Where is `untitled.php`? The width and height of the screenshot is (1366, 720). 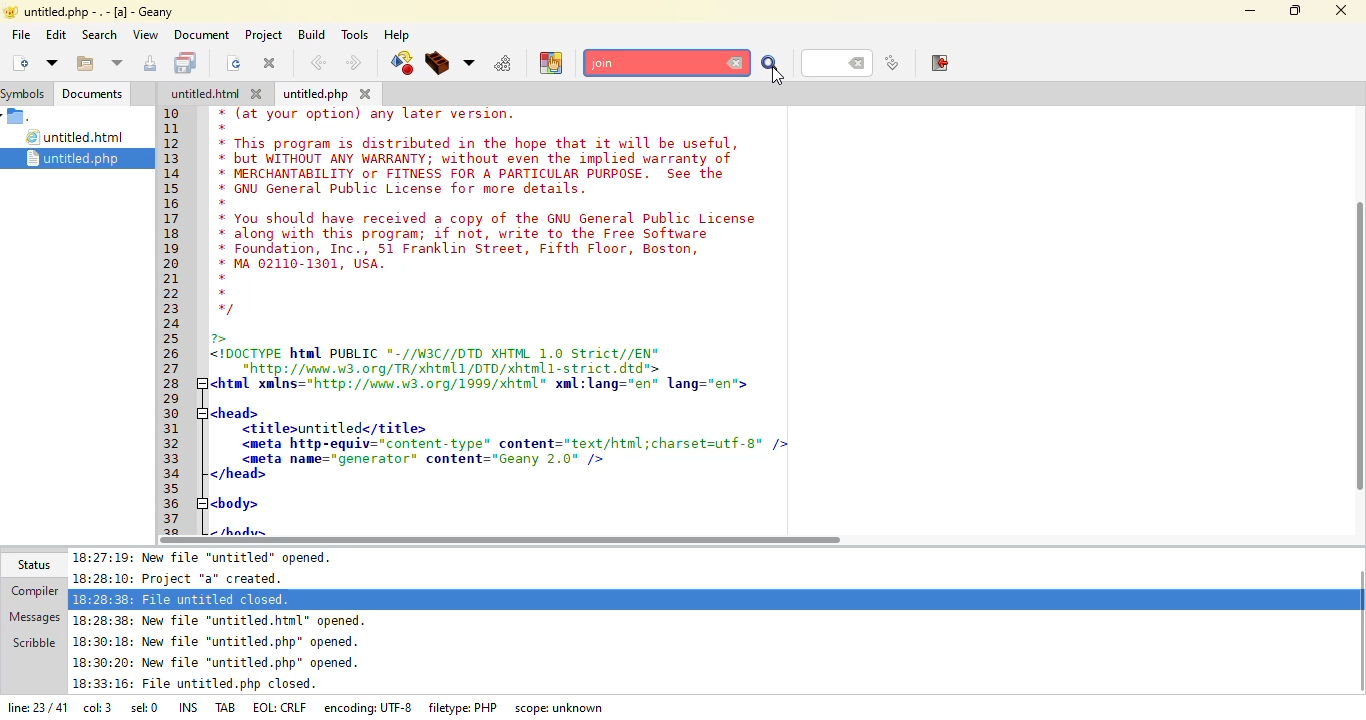
untitled.php is located at coordinates (85, 158).